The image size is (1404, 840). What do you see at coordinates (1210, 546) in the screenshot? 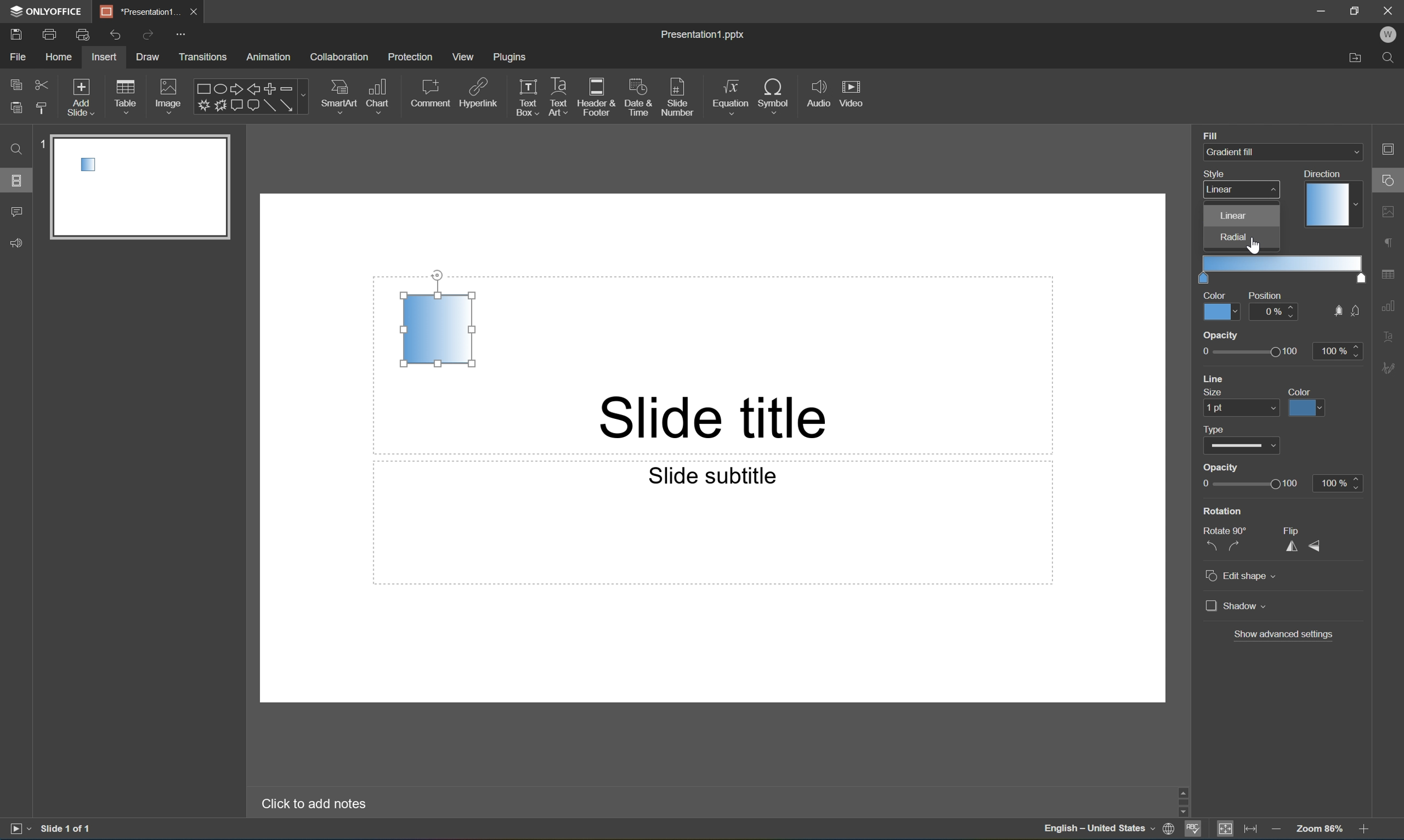
I see `Rotate 90° counterclockwise` at bounding box center [1210, 546].